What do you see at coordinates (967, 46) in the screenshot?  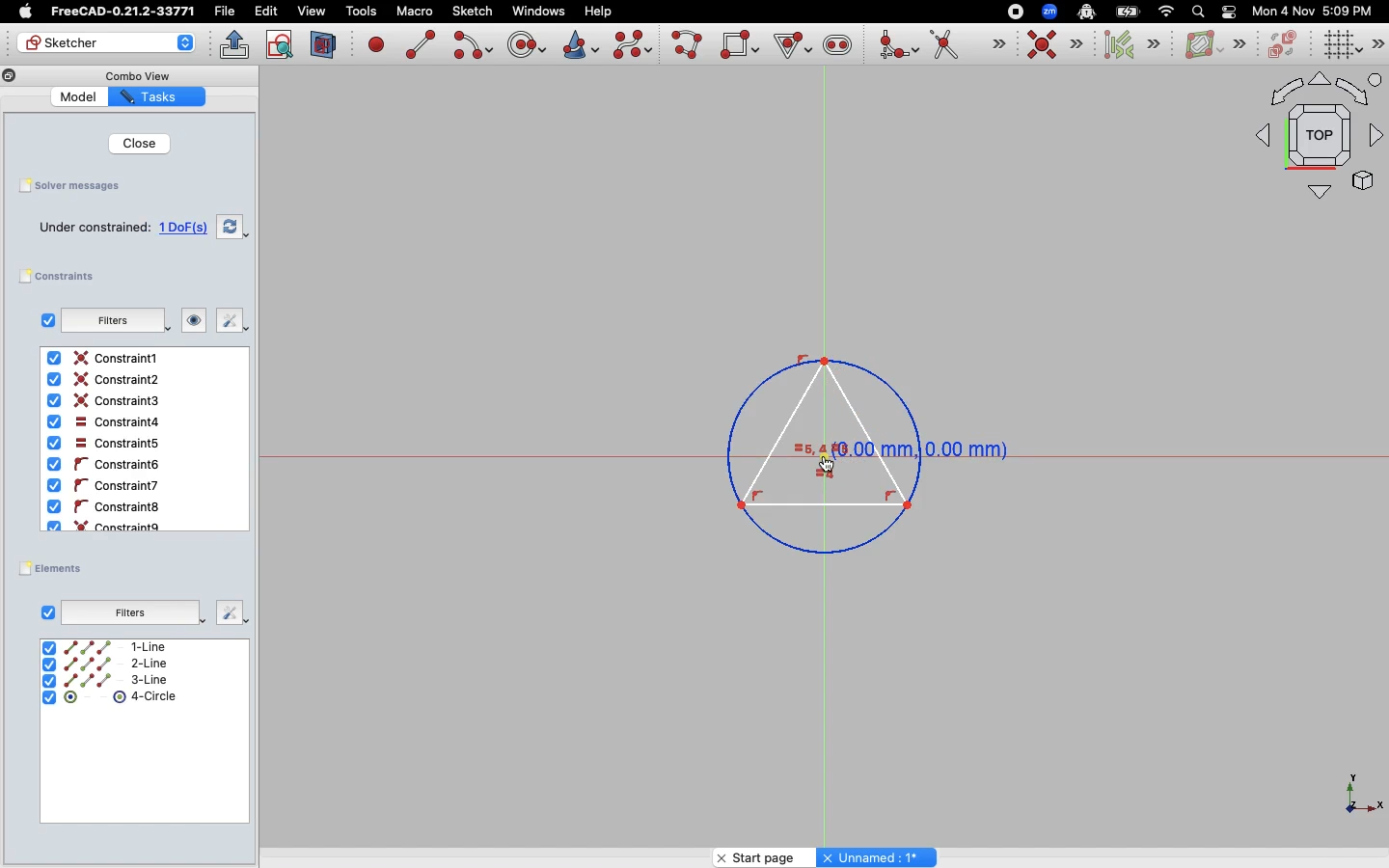 I see `Trim edge` at bounding box center [967, 46].